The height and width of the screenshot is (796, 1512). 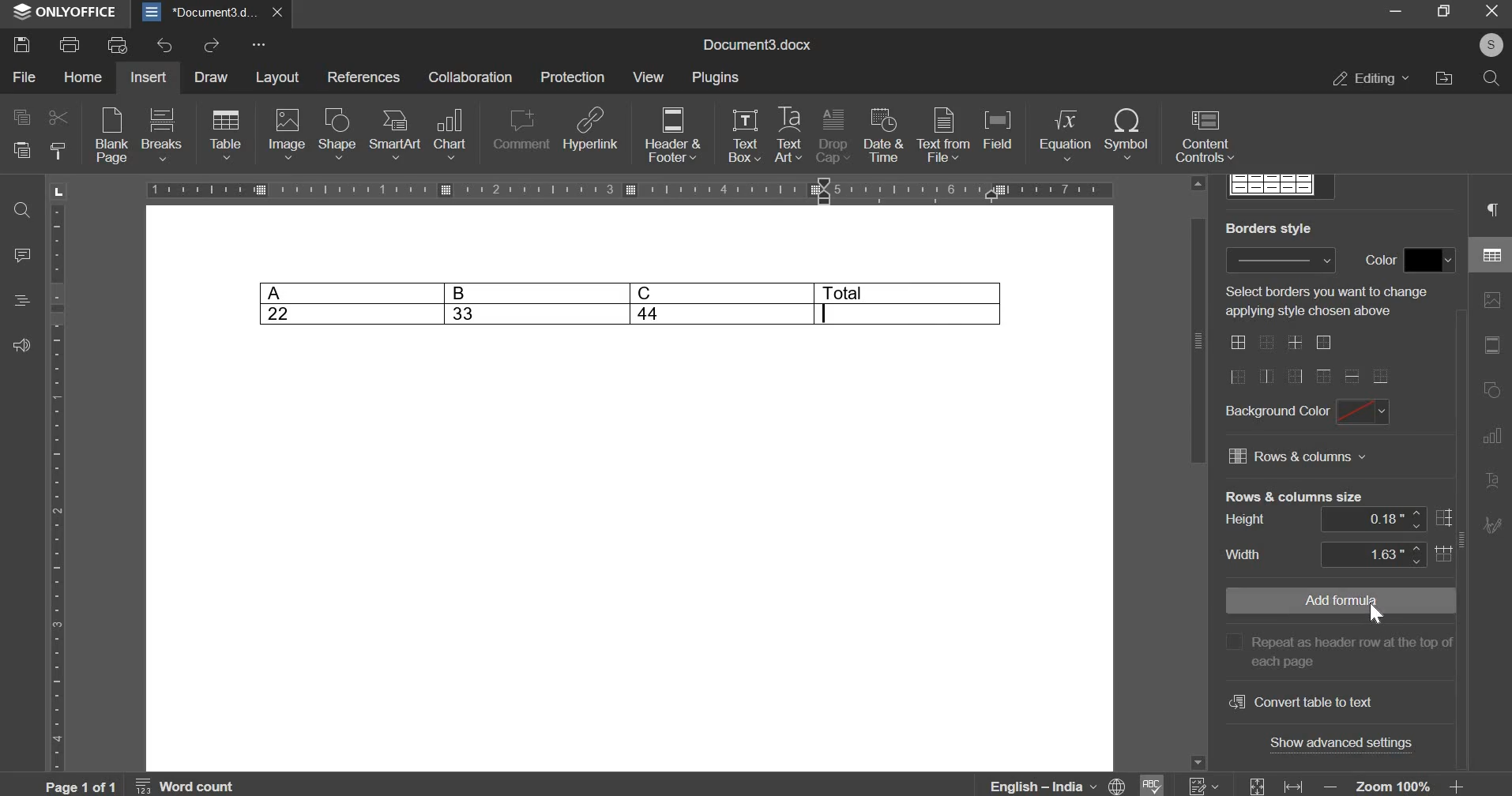 I want to click on *Document3.docx, so click(x=198, y=13).